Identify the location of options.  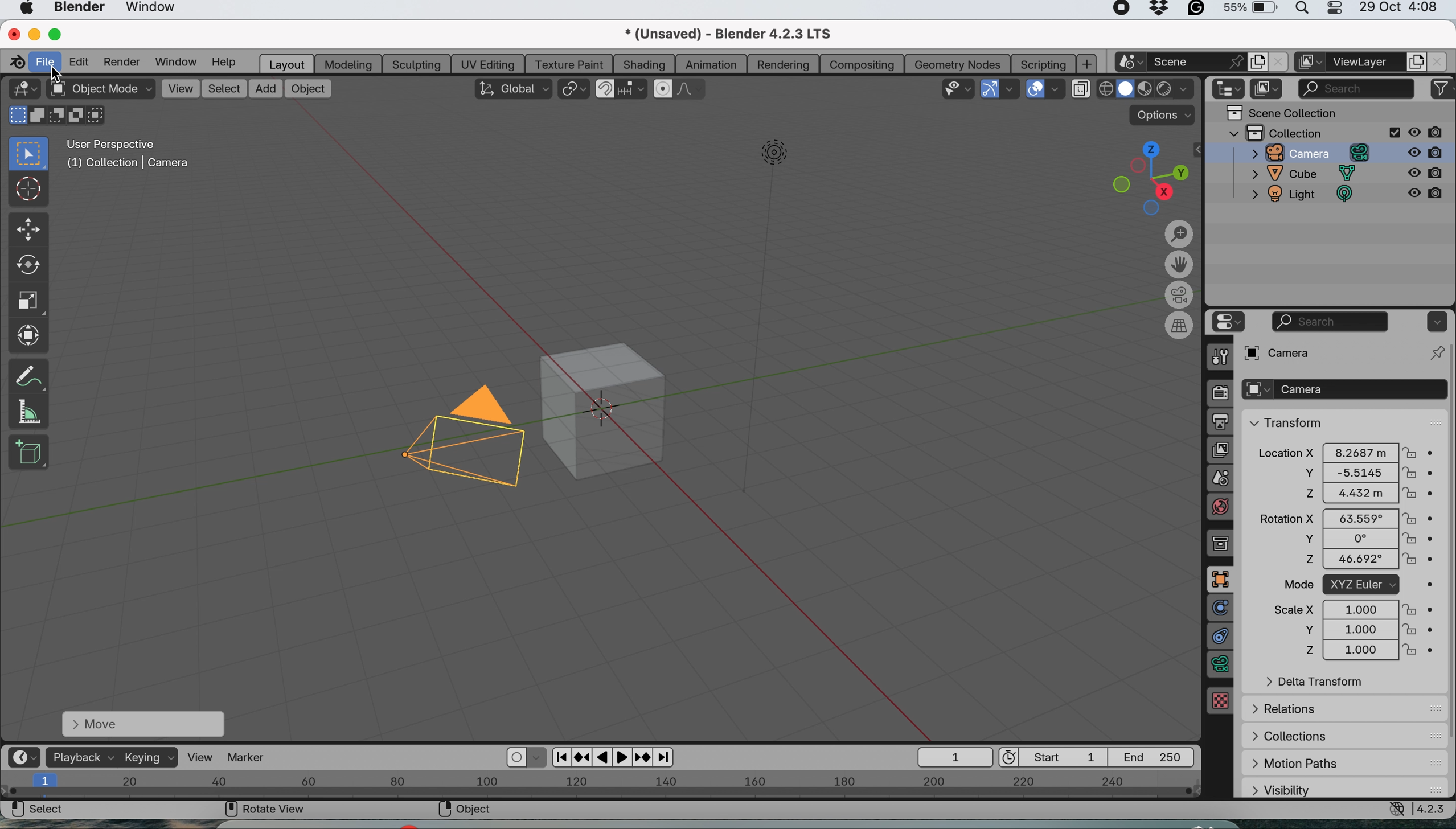
(1435, 321).